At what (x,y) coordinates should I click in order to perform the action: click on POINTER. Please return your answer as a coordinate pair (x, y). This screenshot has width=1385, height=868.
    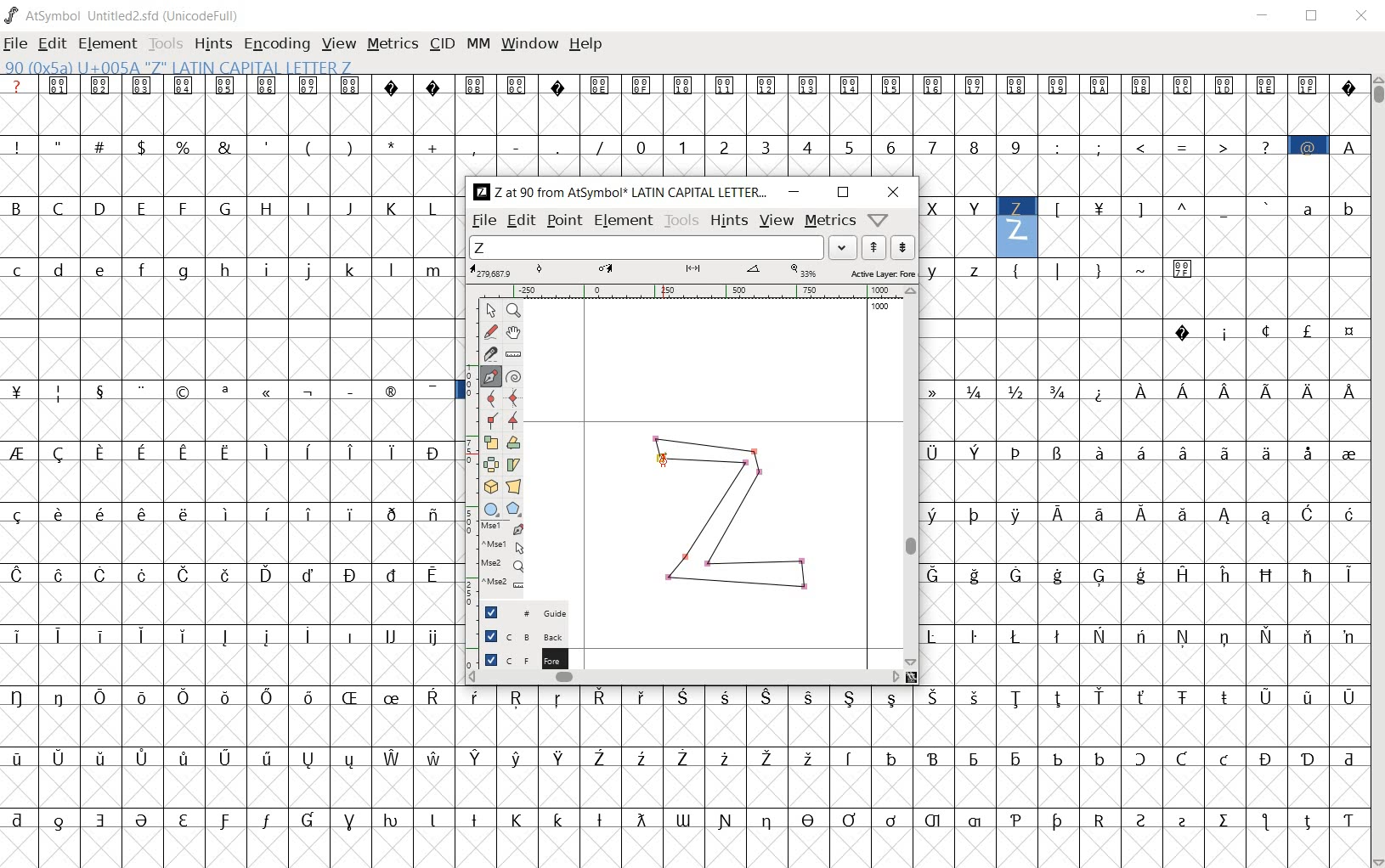
    Looking at the image, I should click on (490, 311).